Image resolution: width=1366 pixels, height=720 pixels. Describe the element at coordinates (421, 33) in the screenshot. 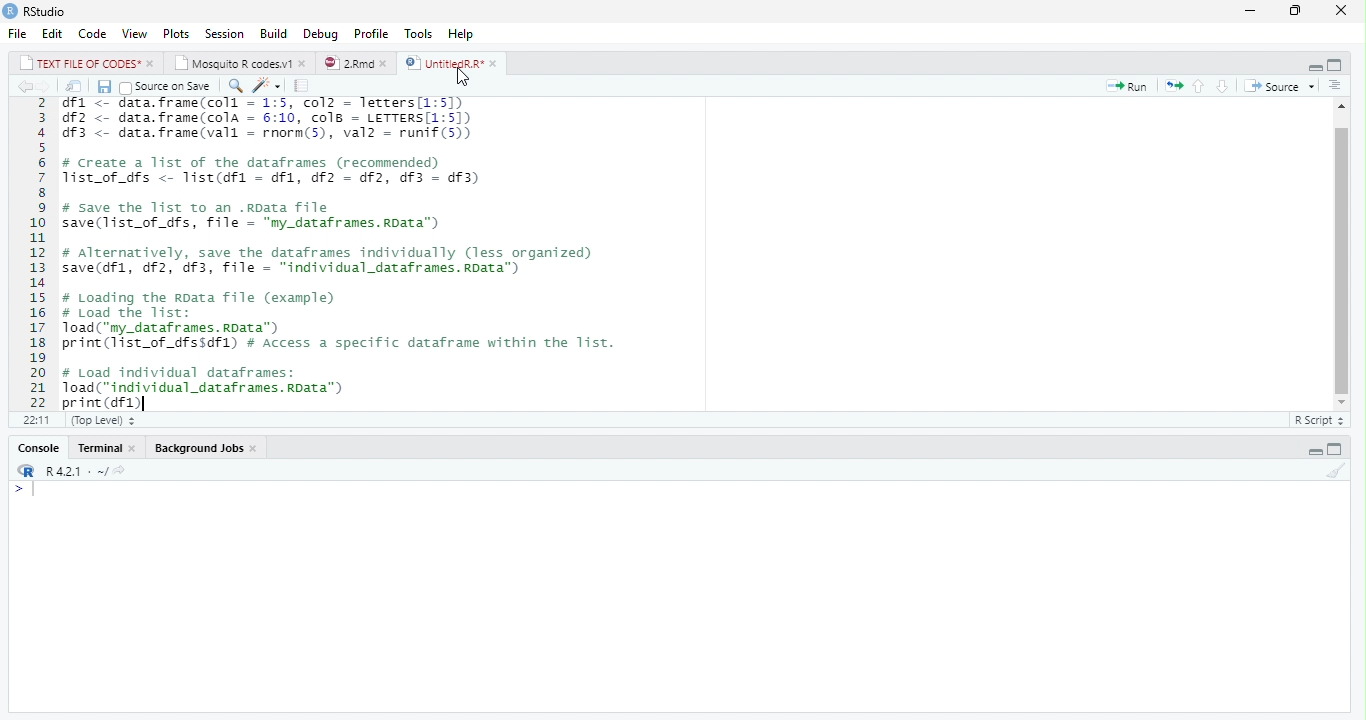

I see `Tools` at that location.